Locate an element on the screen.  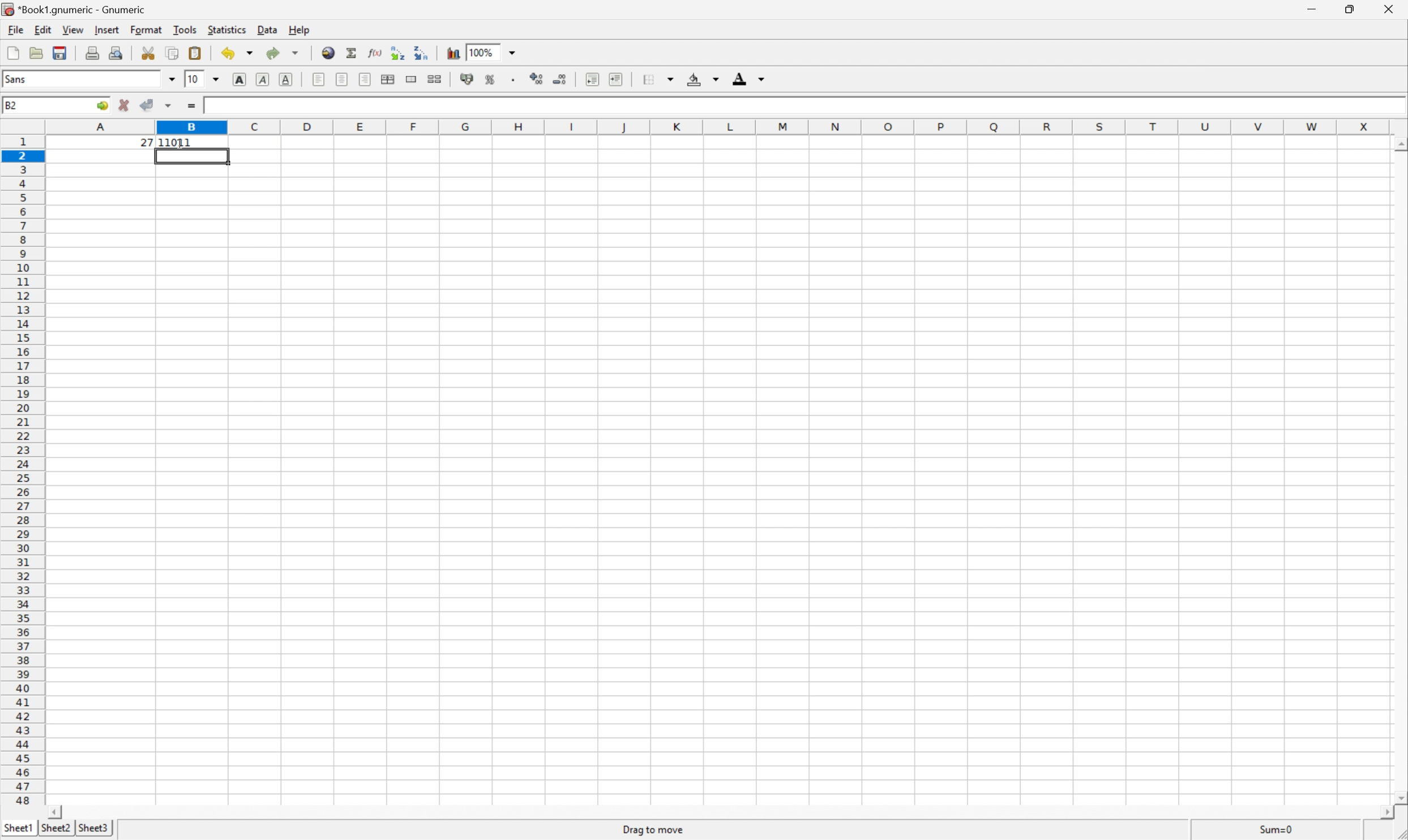
File is located at coordinates (15, 29).